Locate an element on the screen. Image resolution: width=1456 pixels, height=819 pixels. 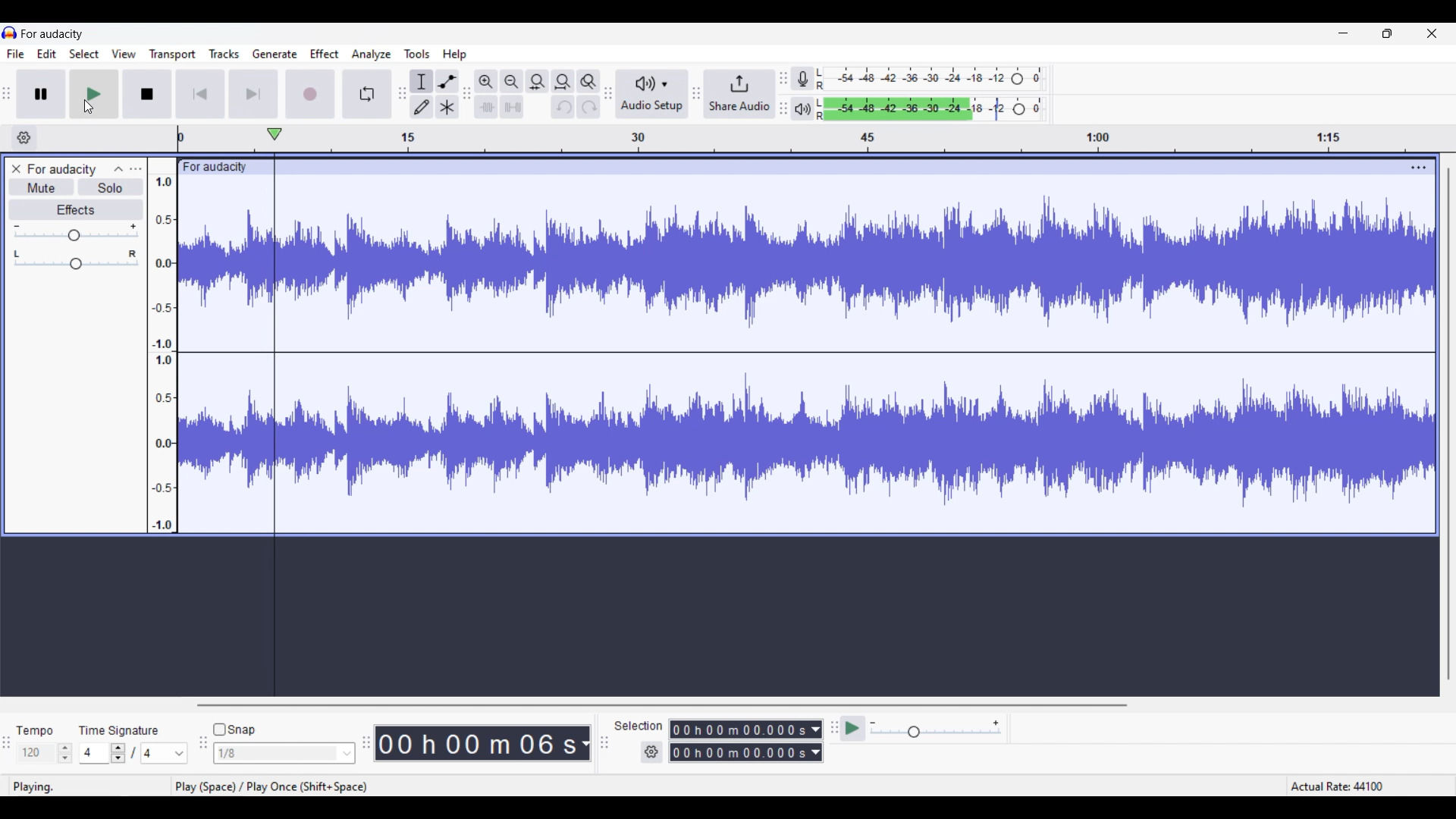
Current duration of track changed is located at coordinates (483, 744).